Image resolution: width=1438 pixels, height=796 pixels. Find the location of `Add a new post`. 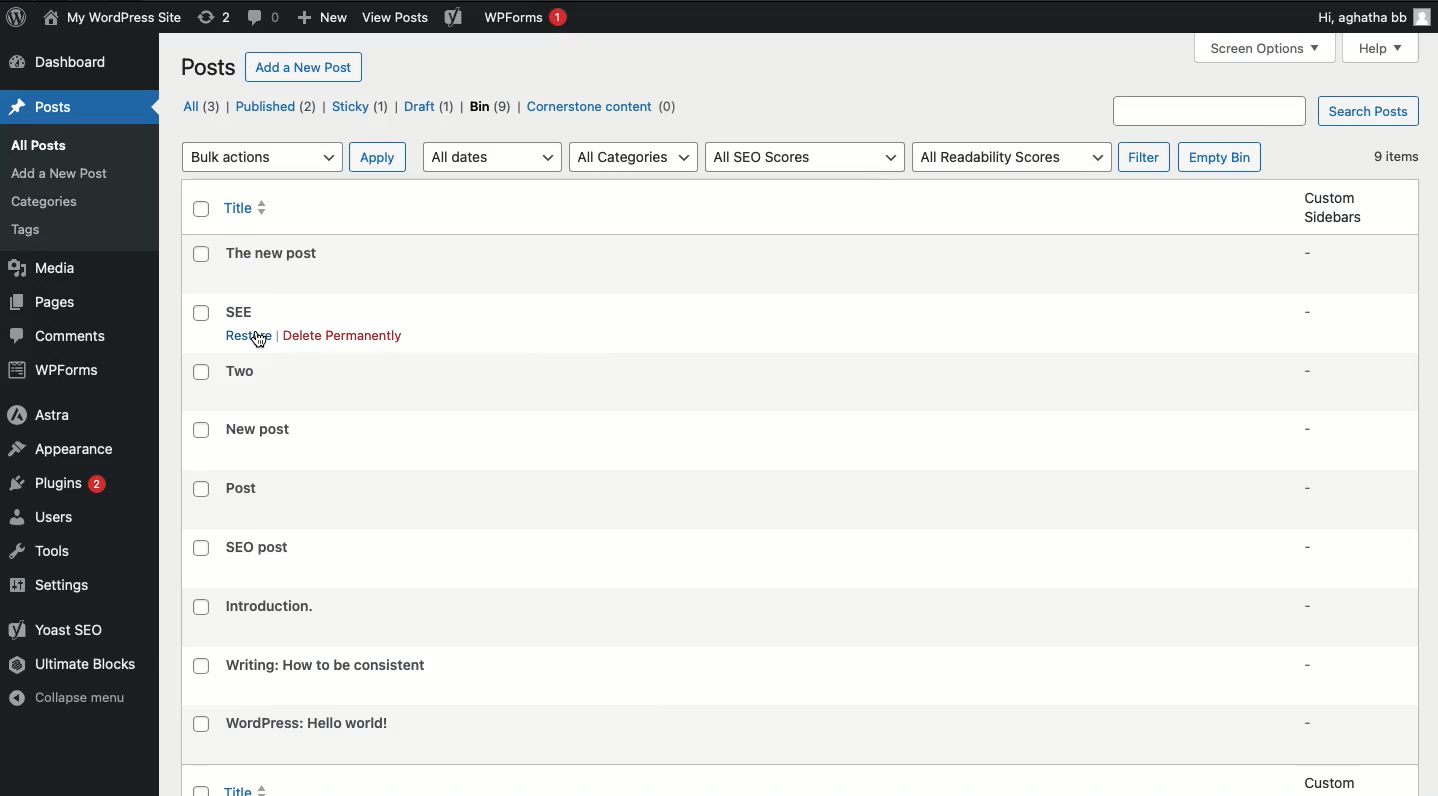

Add a new post is located at coordinates (304, 68).